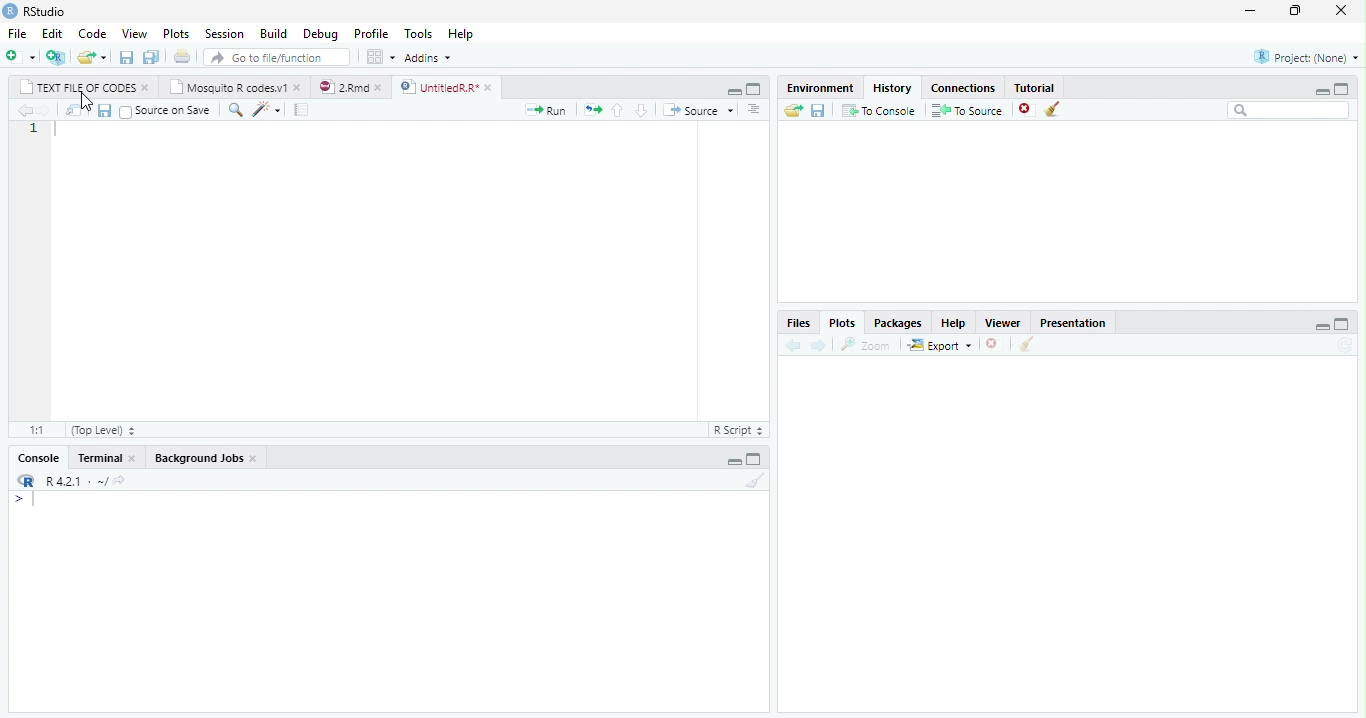  I want to click on share icon, so click(122, 480).